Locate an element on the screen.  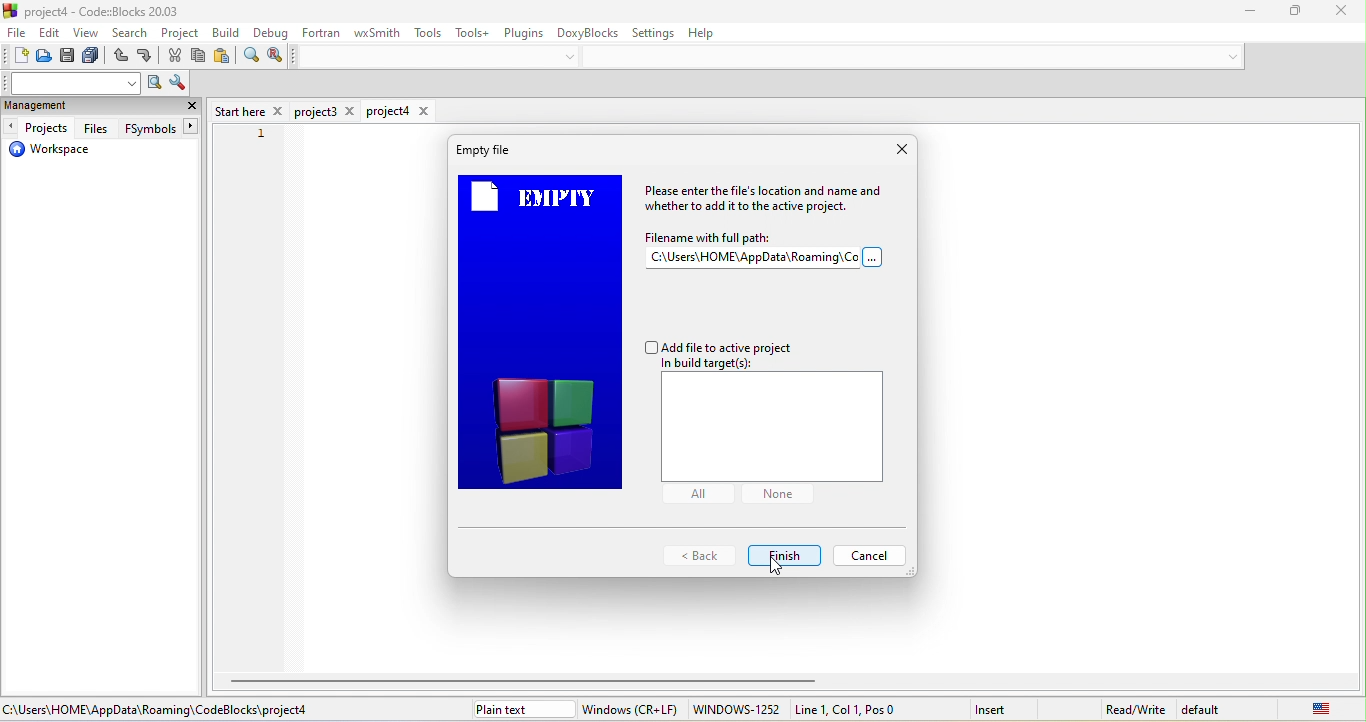
plugins is located at coordinates (522, 31).